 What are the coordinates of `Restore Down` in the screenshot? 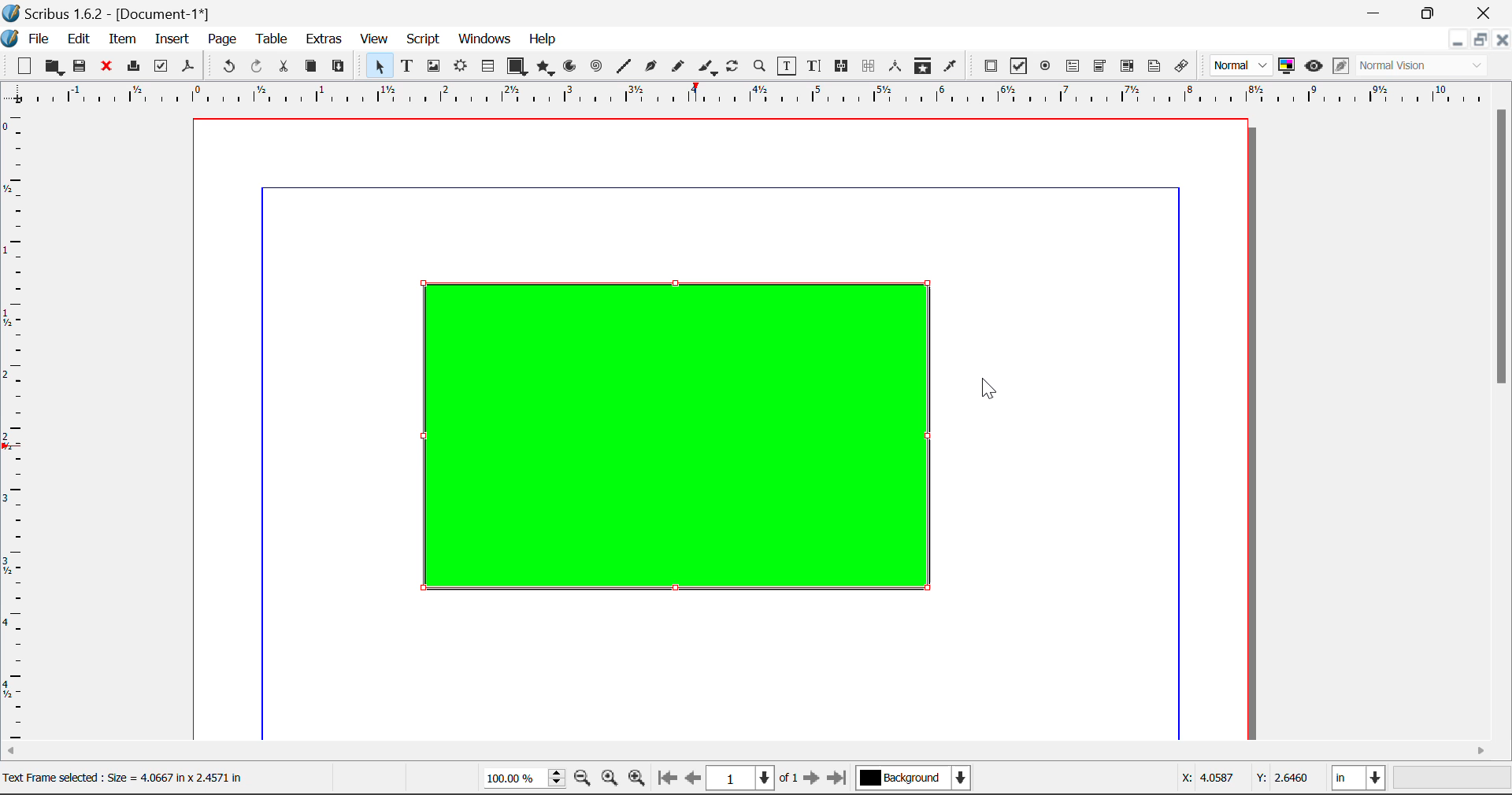 It's located at (1457, 39).